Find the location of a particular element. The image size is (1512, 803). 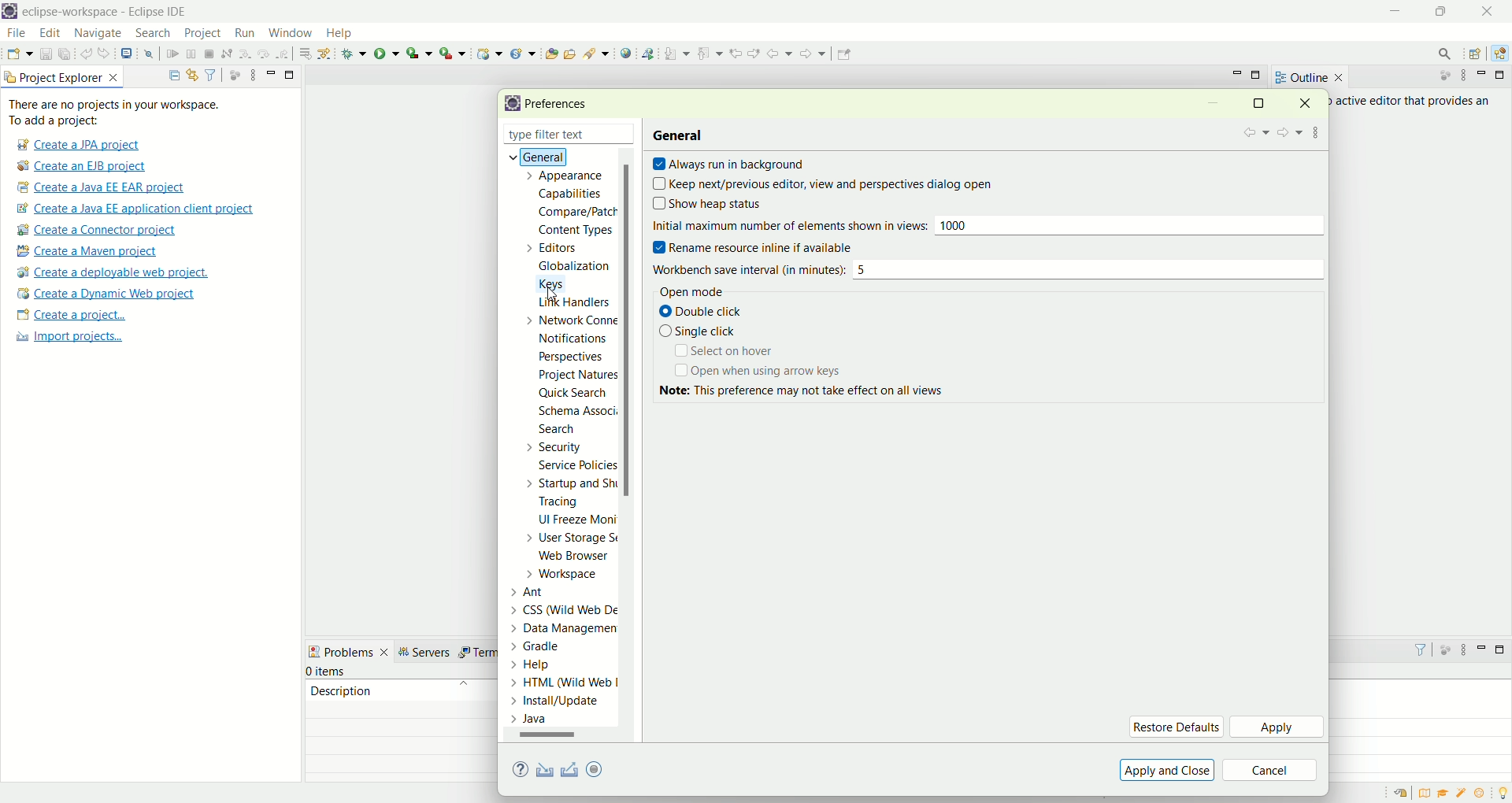

UI freeze monitoring is located at coordinates (576, 521).